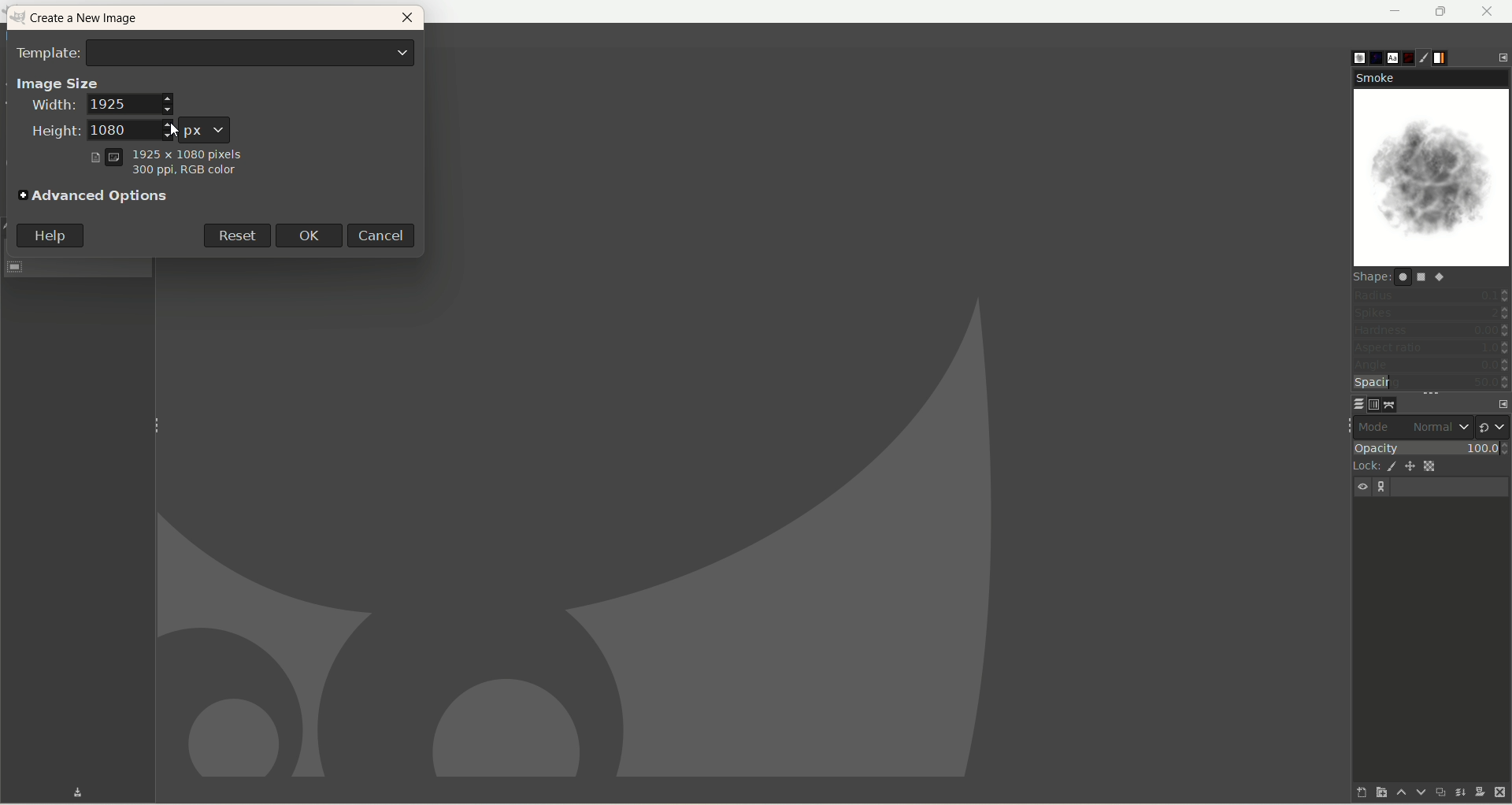 Image resolution: width=1512 pixels, height=805 pixels. I want to click on cursor, so click(172, 127).